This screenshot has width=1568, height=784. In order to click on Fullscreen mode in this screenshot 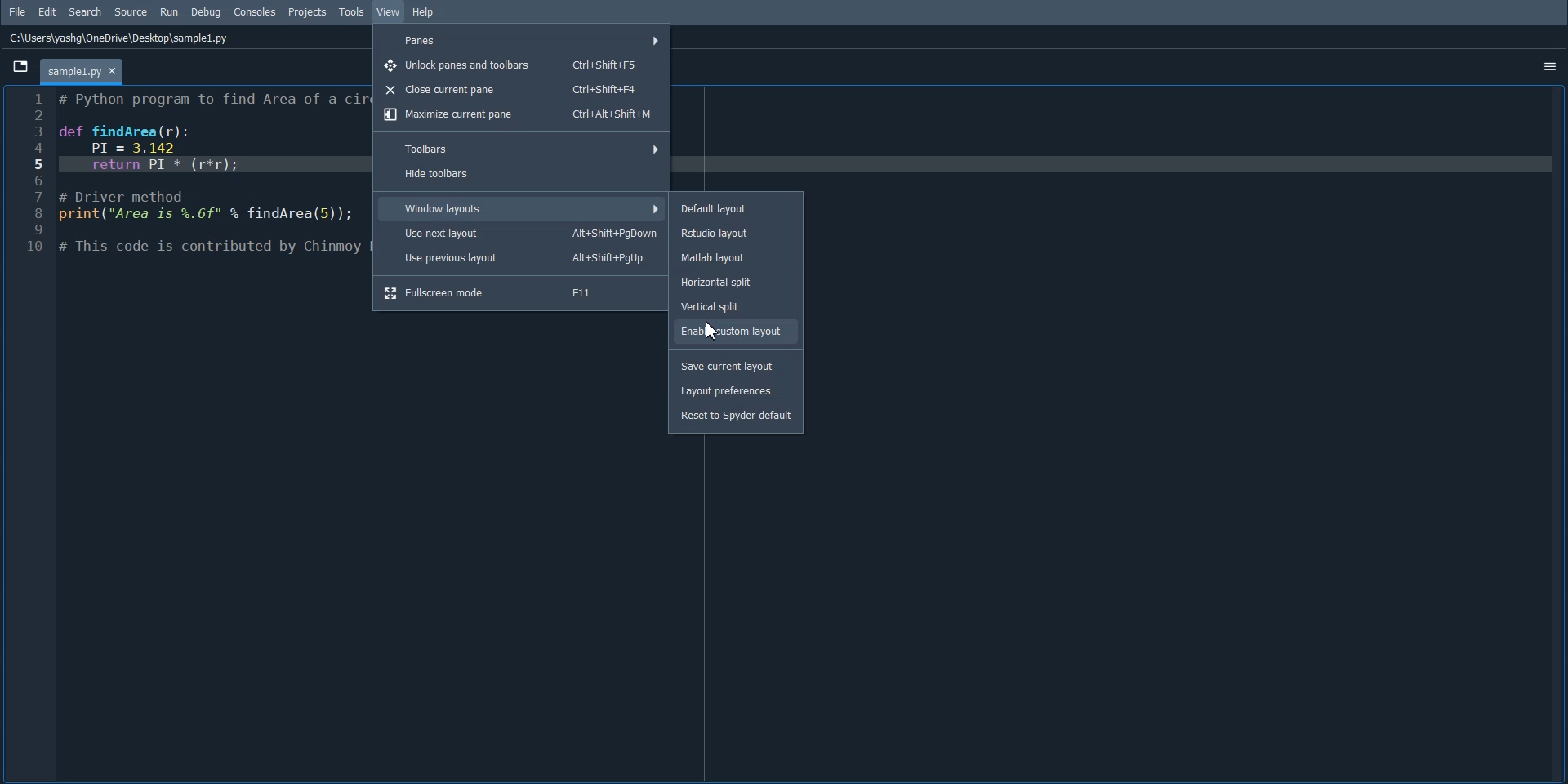, I will do `click(519, 292)`.